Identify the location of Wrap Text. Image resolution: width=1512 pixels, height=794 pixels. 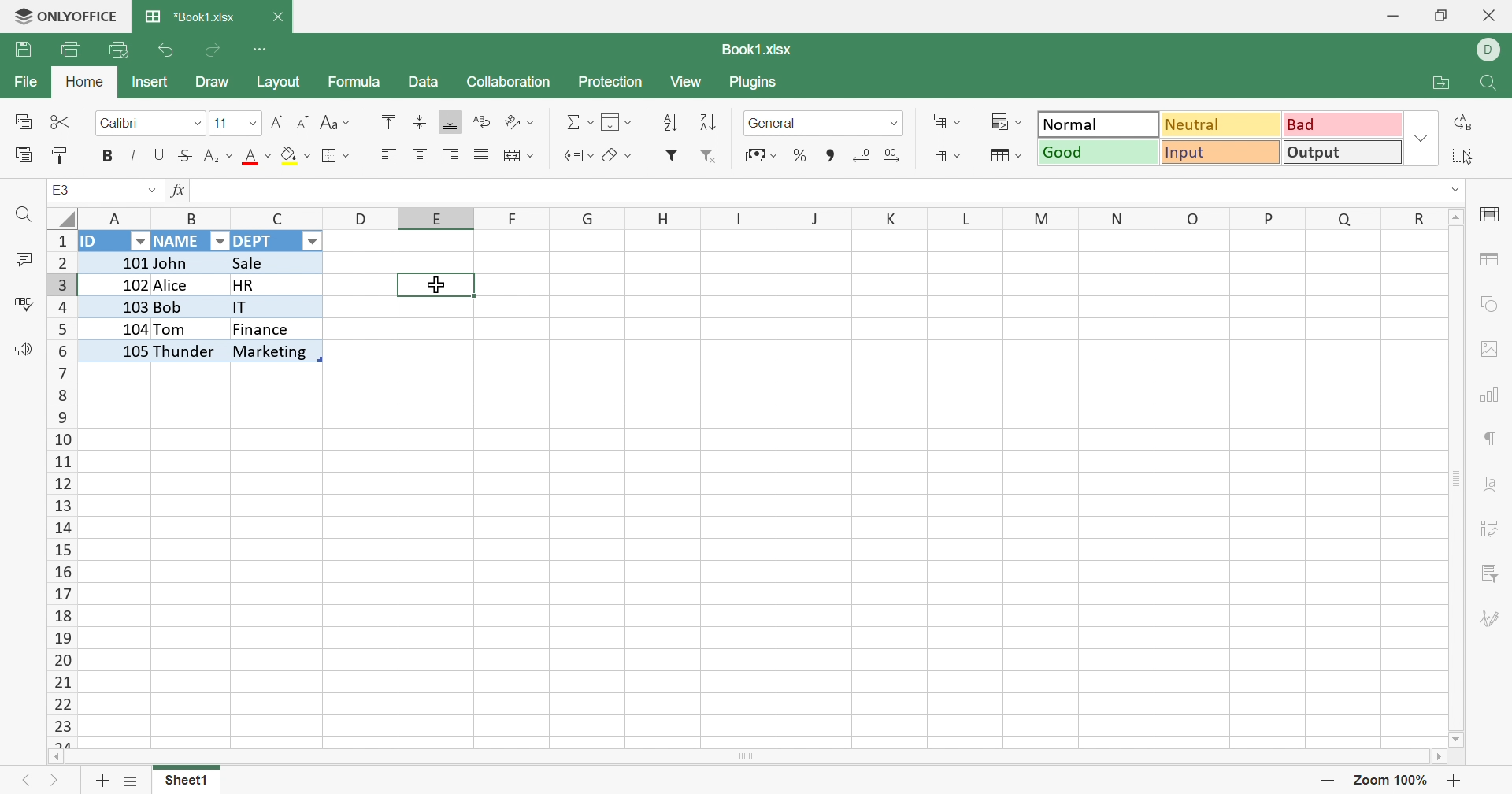
(484, 121).